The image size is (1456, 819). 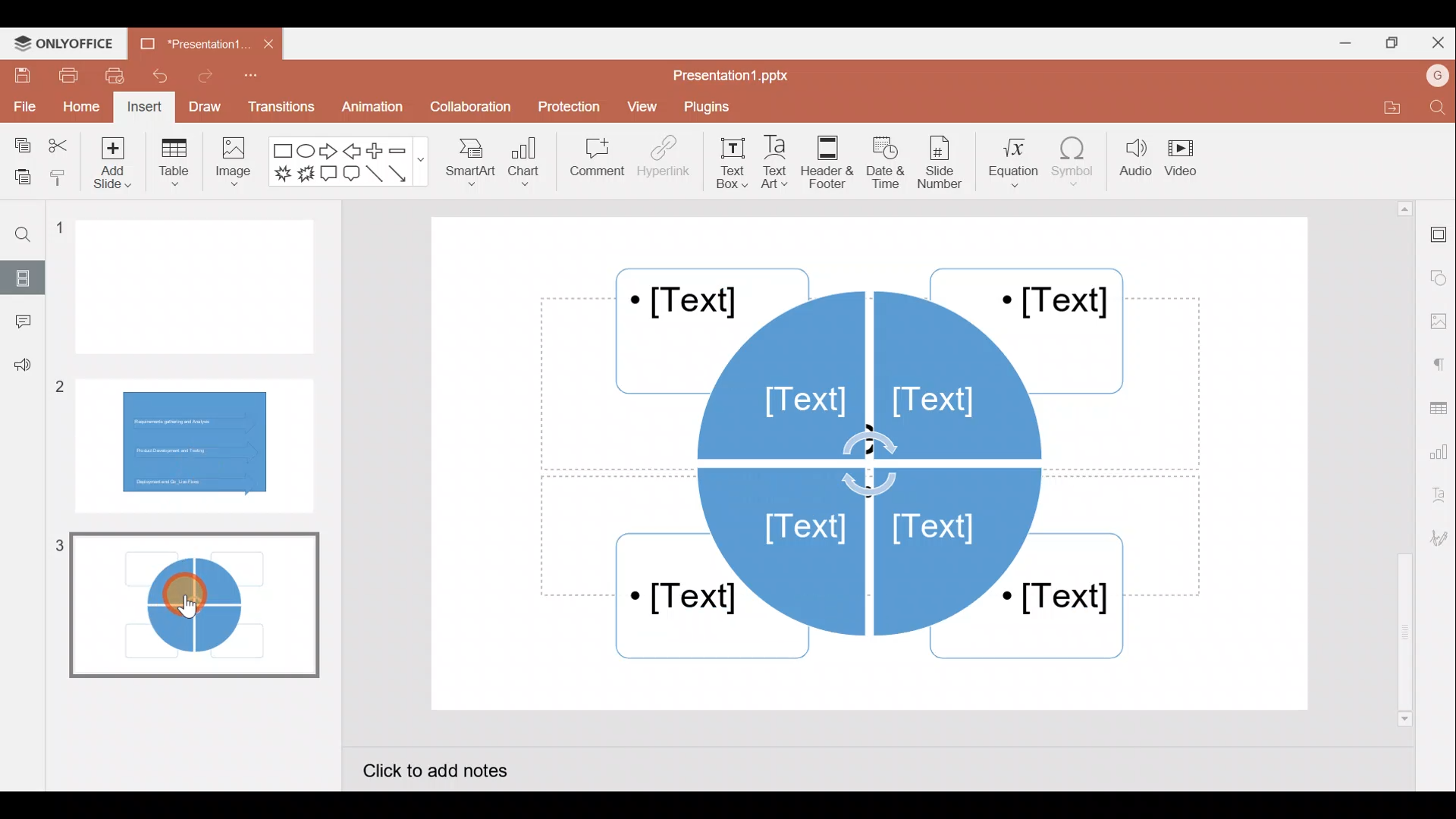 I want to click on Vertical scroll bar, so click(x=1401, y=462).